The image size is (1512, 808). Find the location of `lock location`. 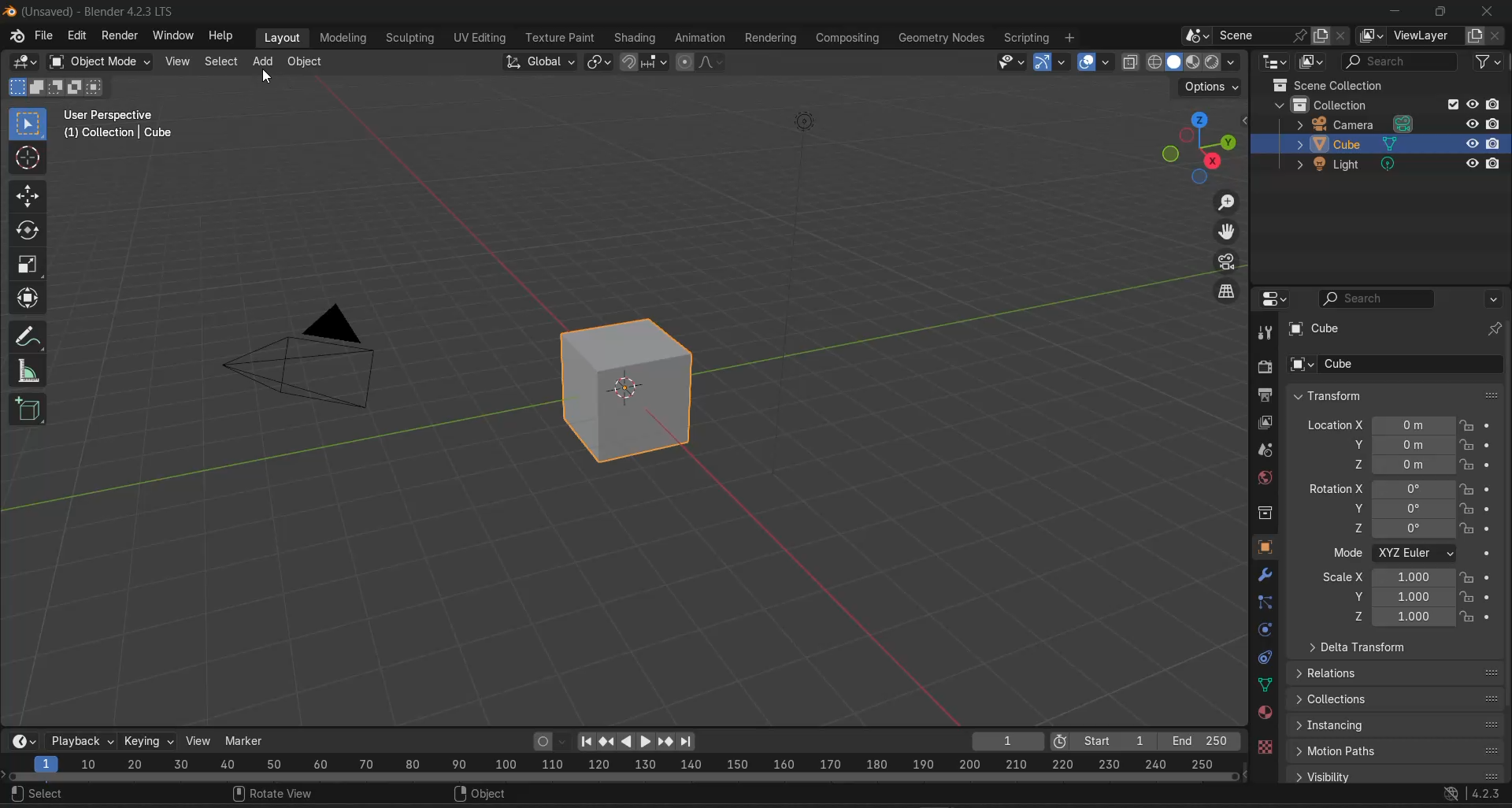

lock location is located at coordinates (1466, 463).